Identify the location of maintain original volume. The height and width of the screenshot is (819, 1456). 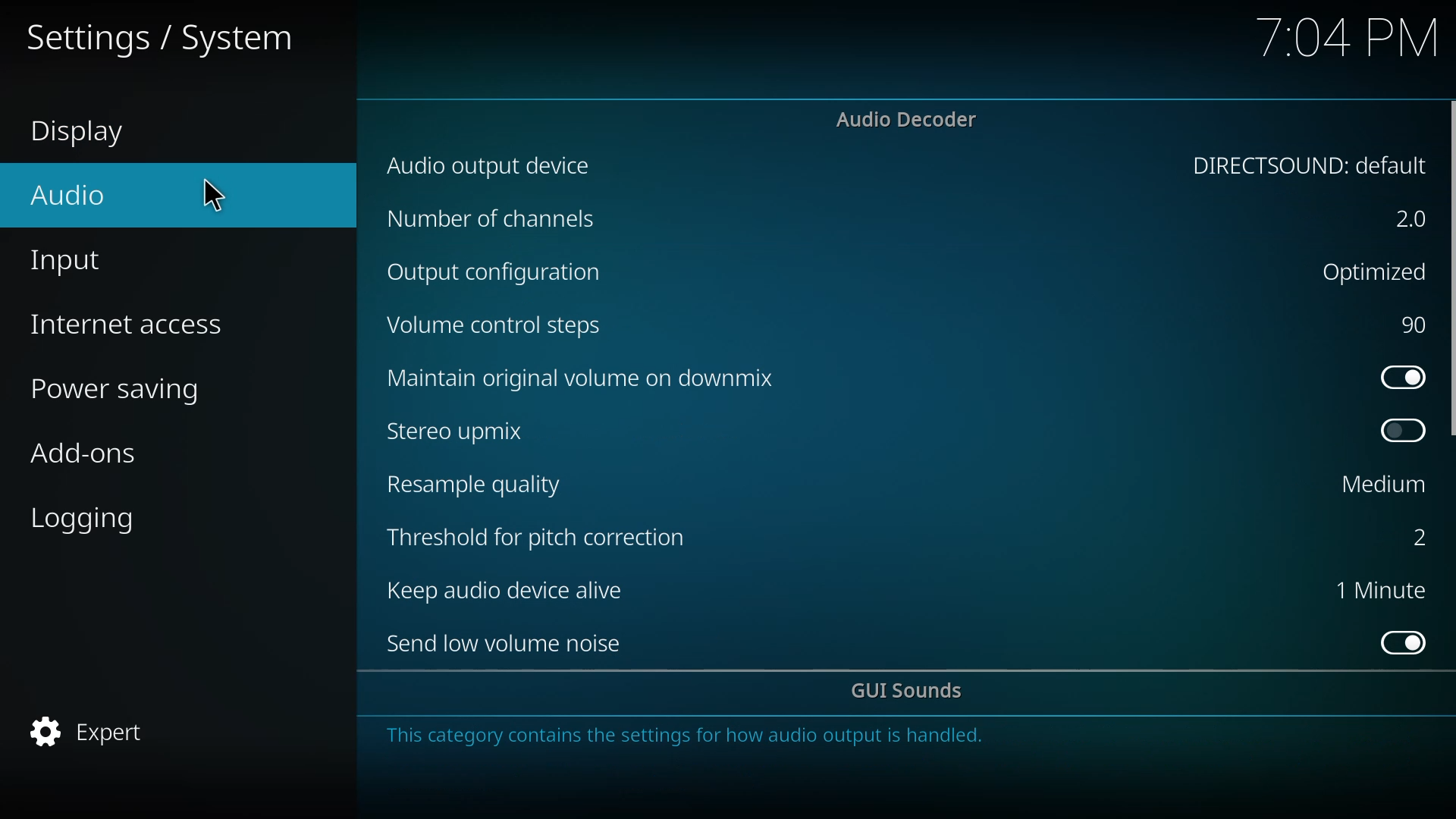
(585, 376).